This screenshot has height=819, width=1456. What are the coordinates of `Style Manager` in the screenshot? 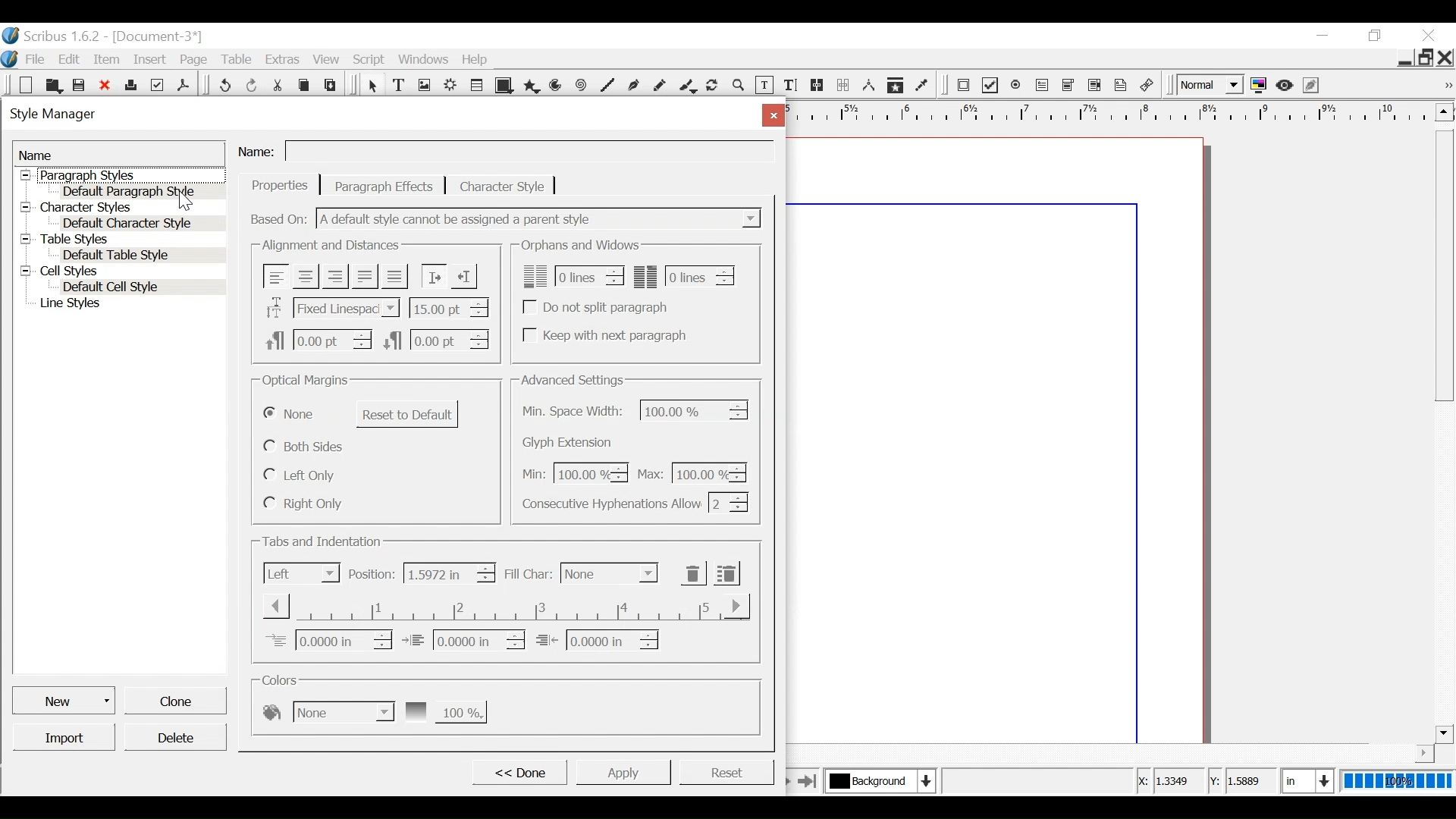 It's located at (374, 116).